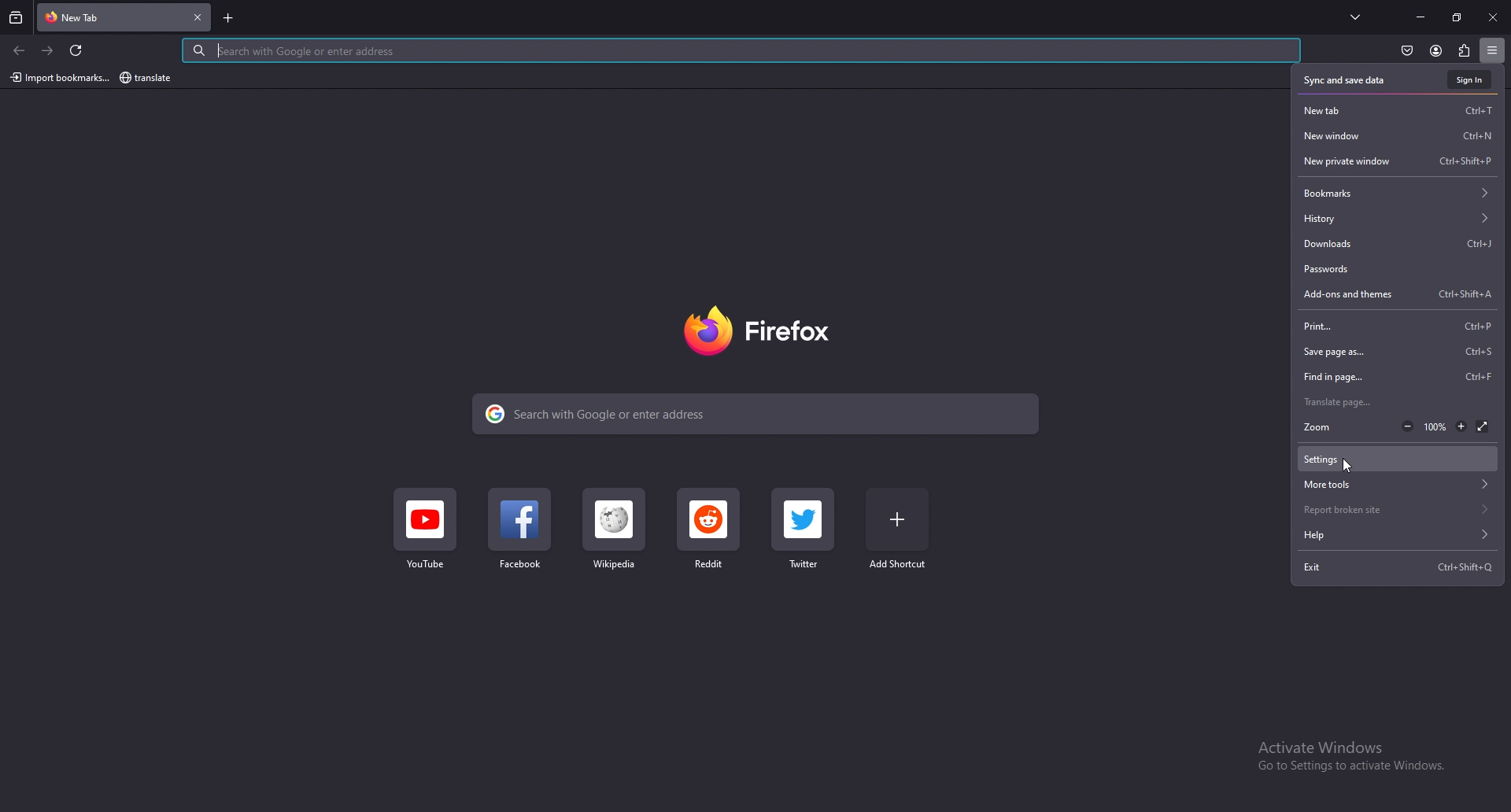  Describe the element at coordinates (1420, 17) in the screenshot. I see `minimize` at that location.